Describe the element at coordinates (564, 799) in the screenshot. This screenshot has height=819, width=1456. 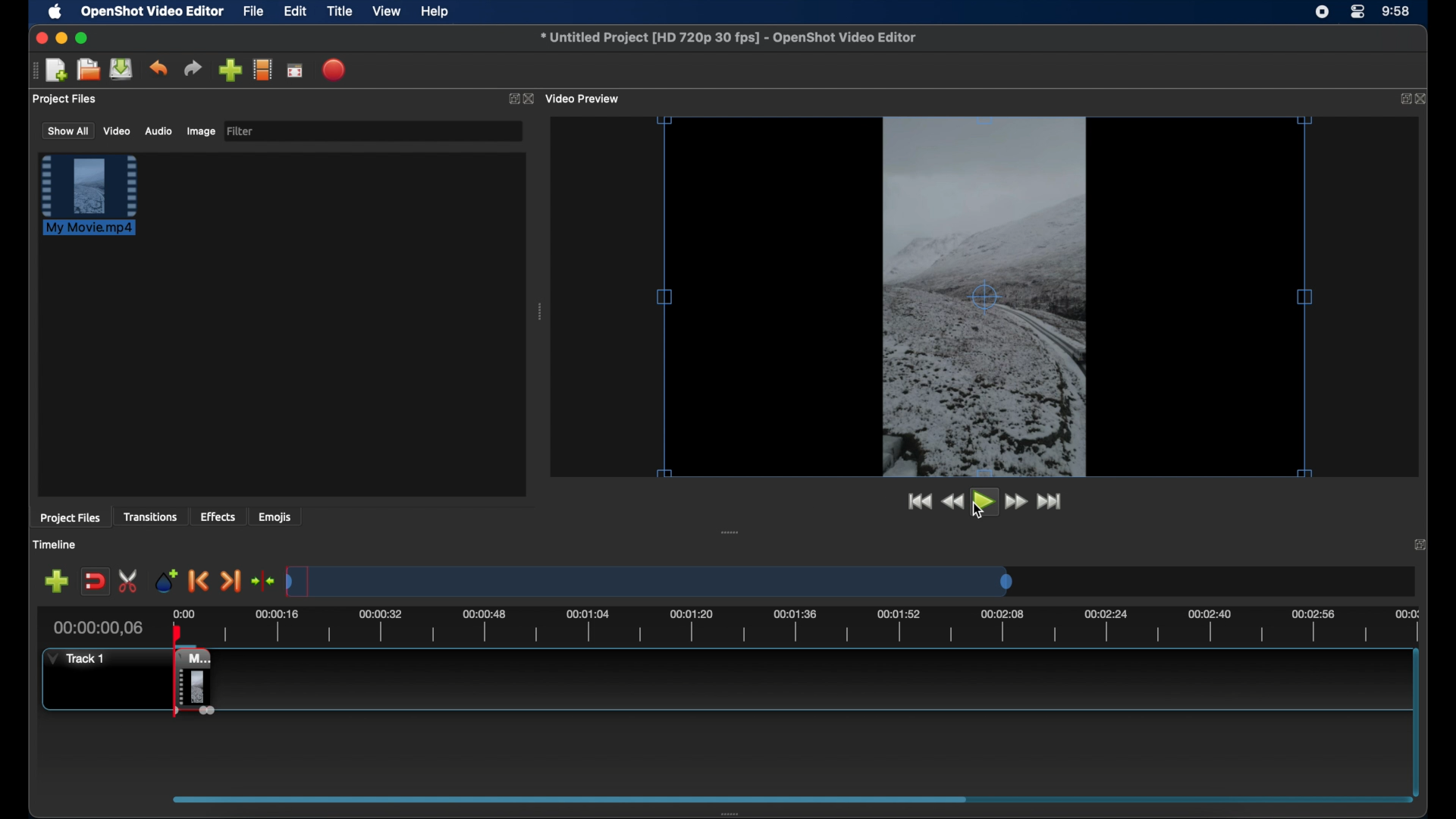
I see `scroll box` at that location.